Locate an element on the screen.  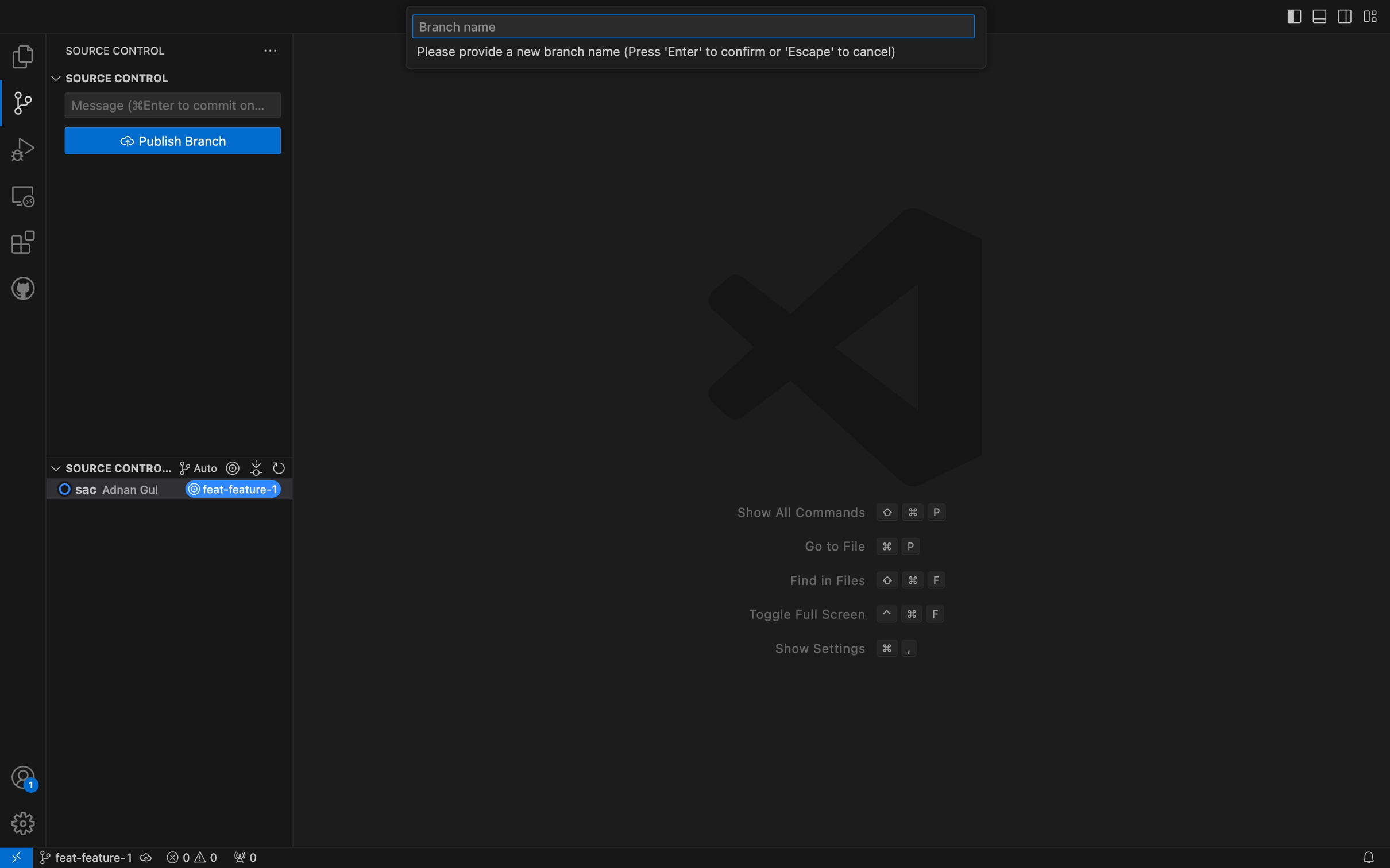
Show Settings is located at coordinates (811, 648).